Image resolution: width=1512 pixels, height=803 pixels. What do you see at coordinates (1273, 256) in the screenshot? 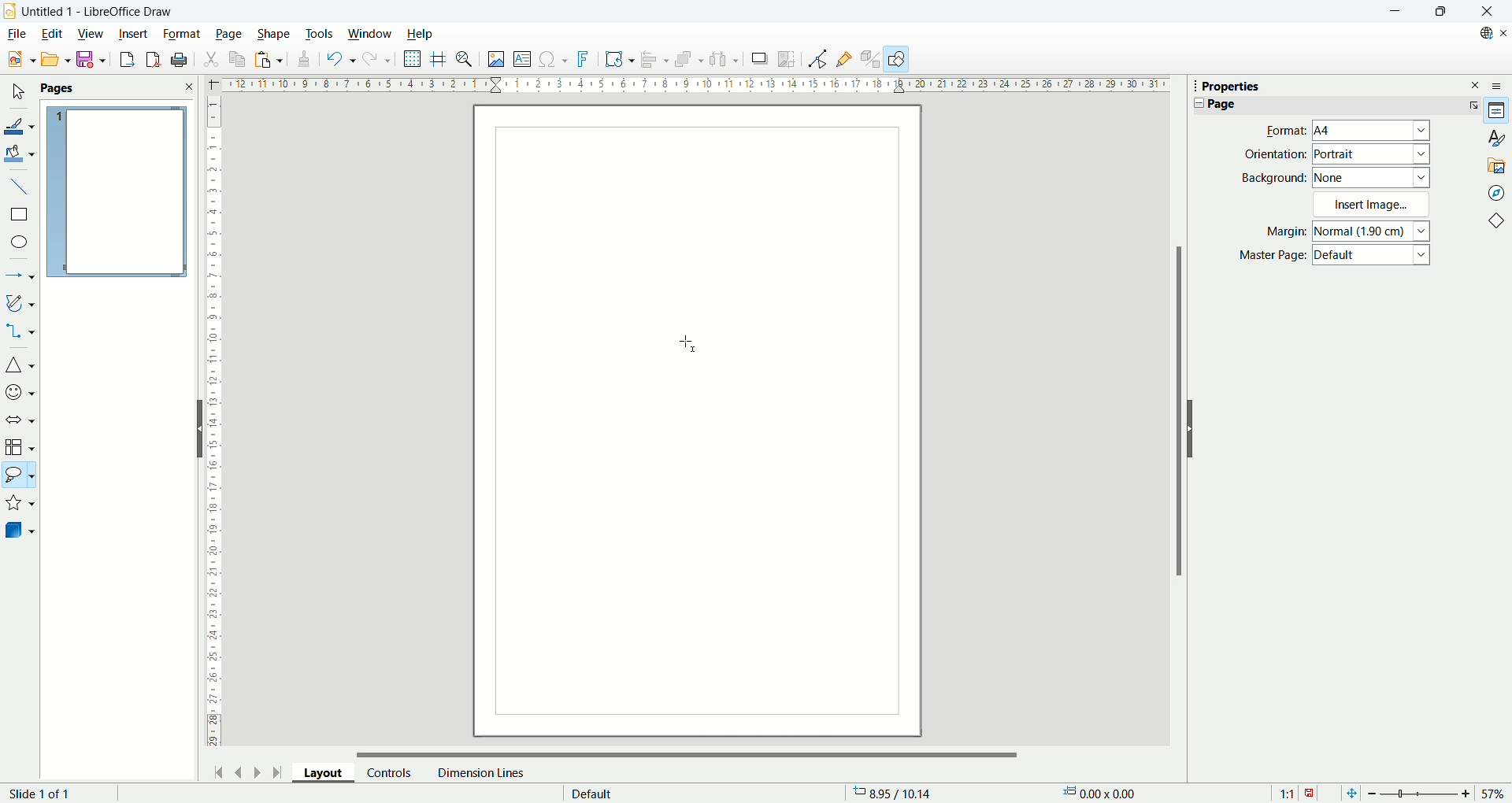
I see `Master Page` at bounding box center [1273, 256].